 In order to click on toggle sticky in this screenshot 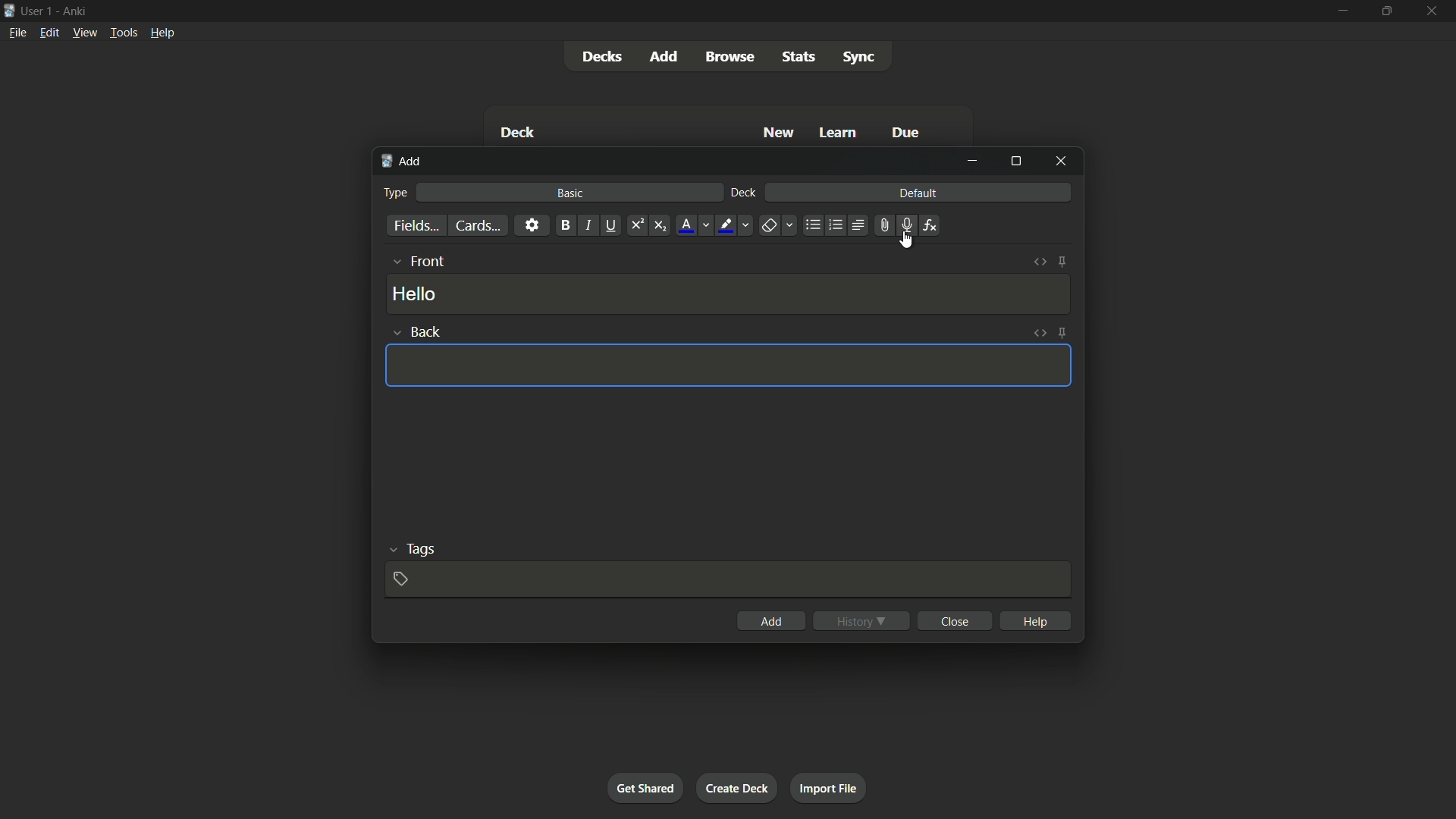, I will do `click(1061, 334)`.